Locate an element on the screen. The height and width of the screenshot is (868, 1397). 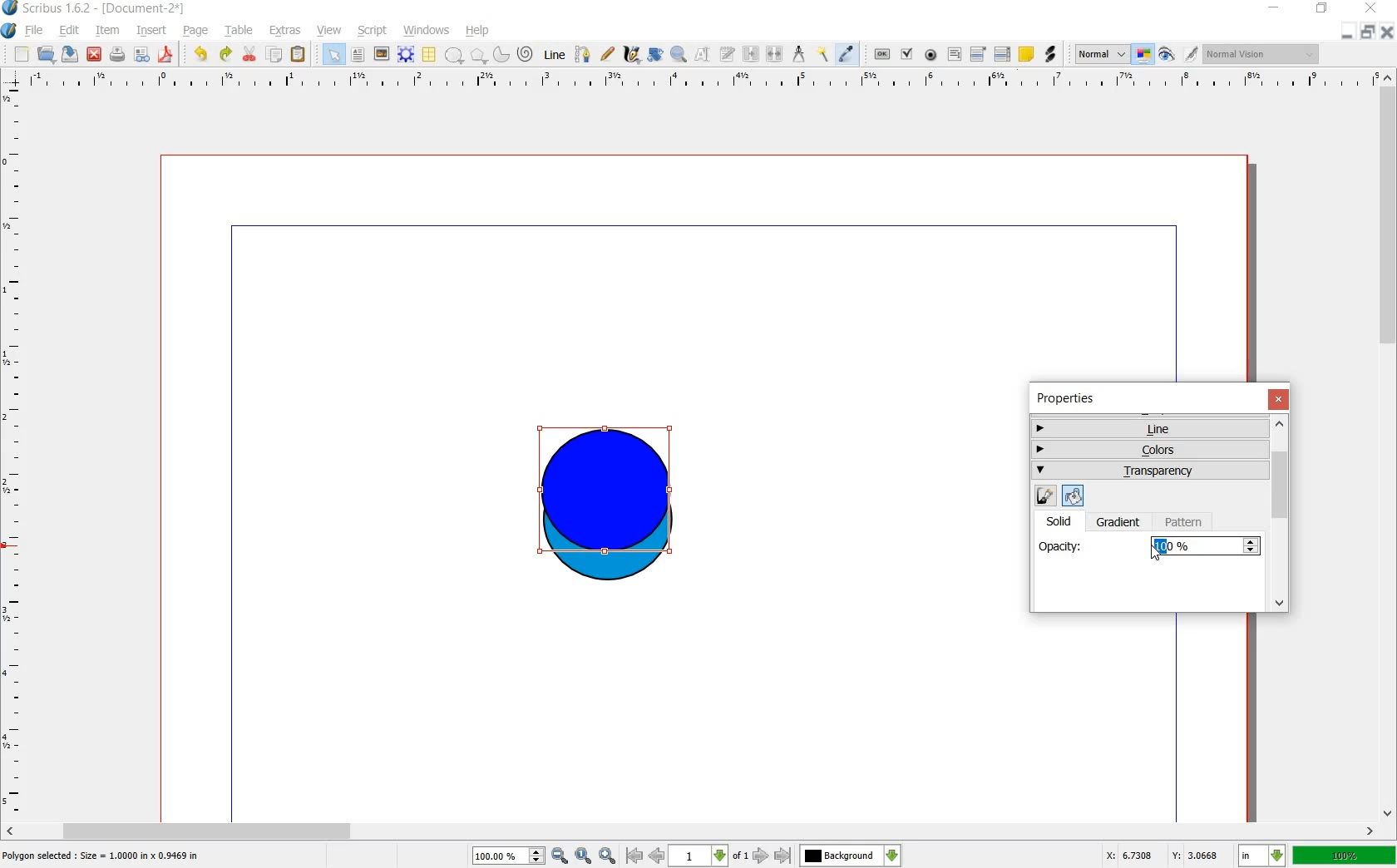
edit is located at coordinates (72, 32).